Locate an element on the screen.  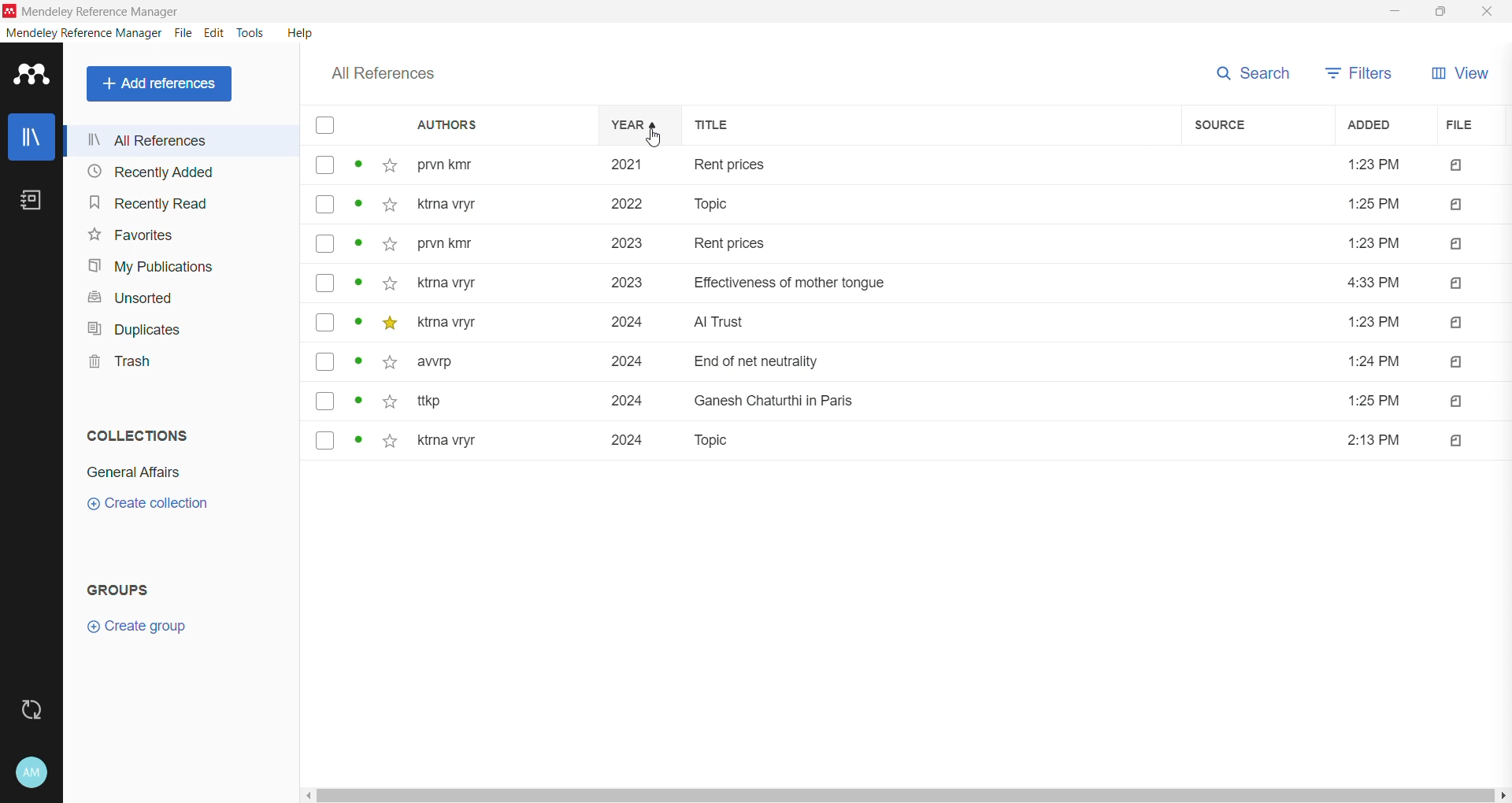
Horizontal Scroll Bar is located at coordinates (906, 796).